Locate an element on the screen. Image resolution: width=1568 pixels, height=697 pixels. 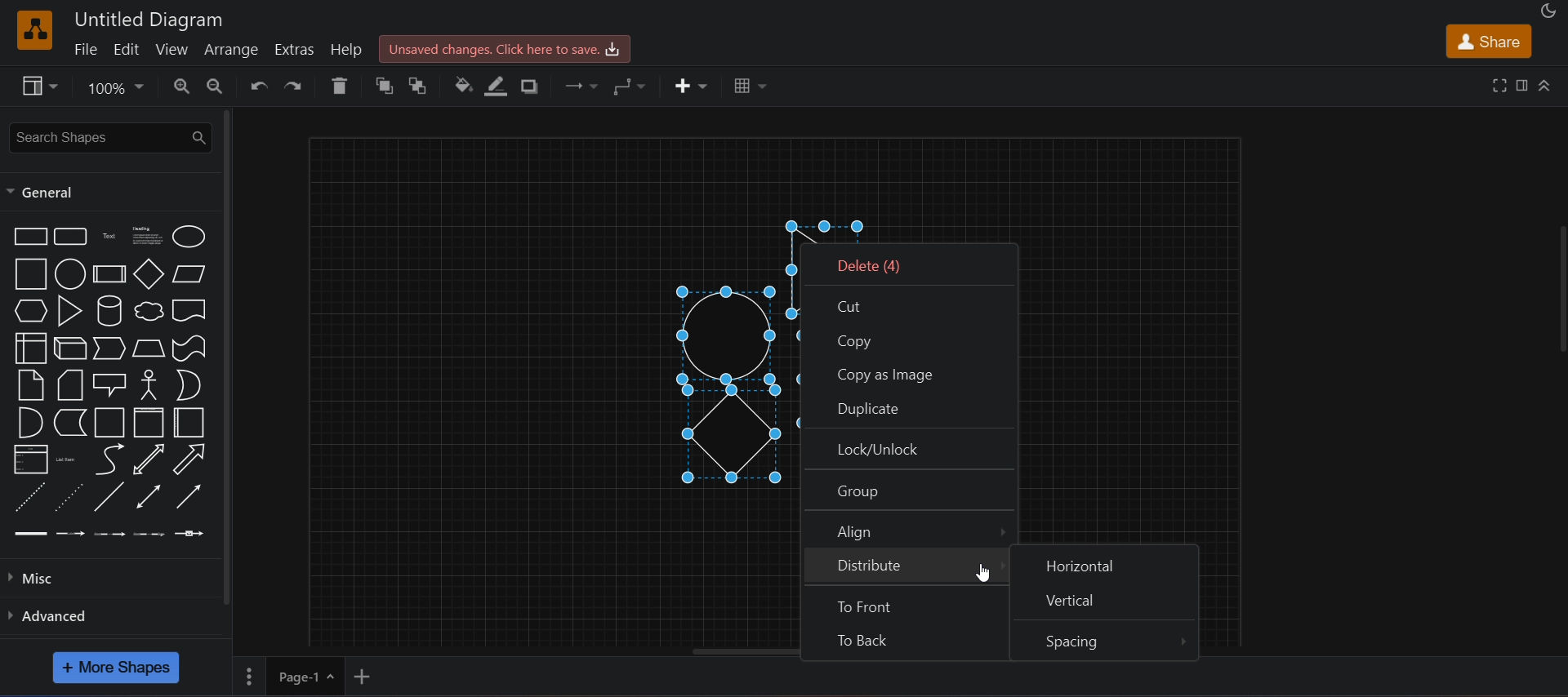
to front is located at coordinates (387, 87).